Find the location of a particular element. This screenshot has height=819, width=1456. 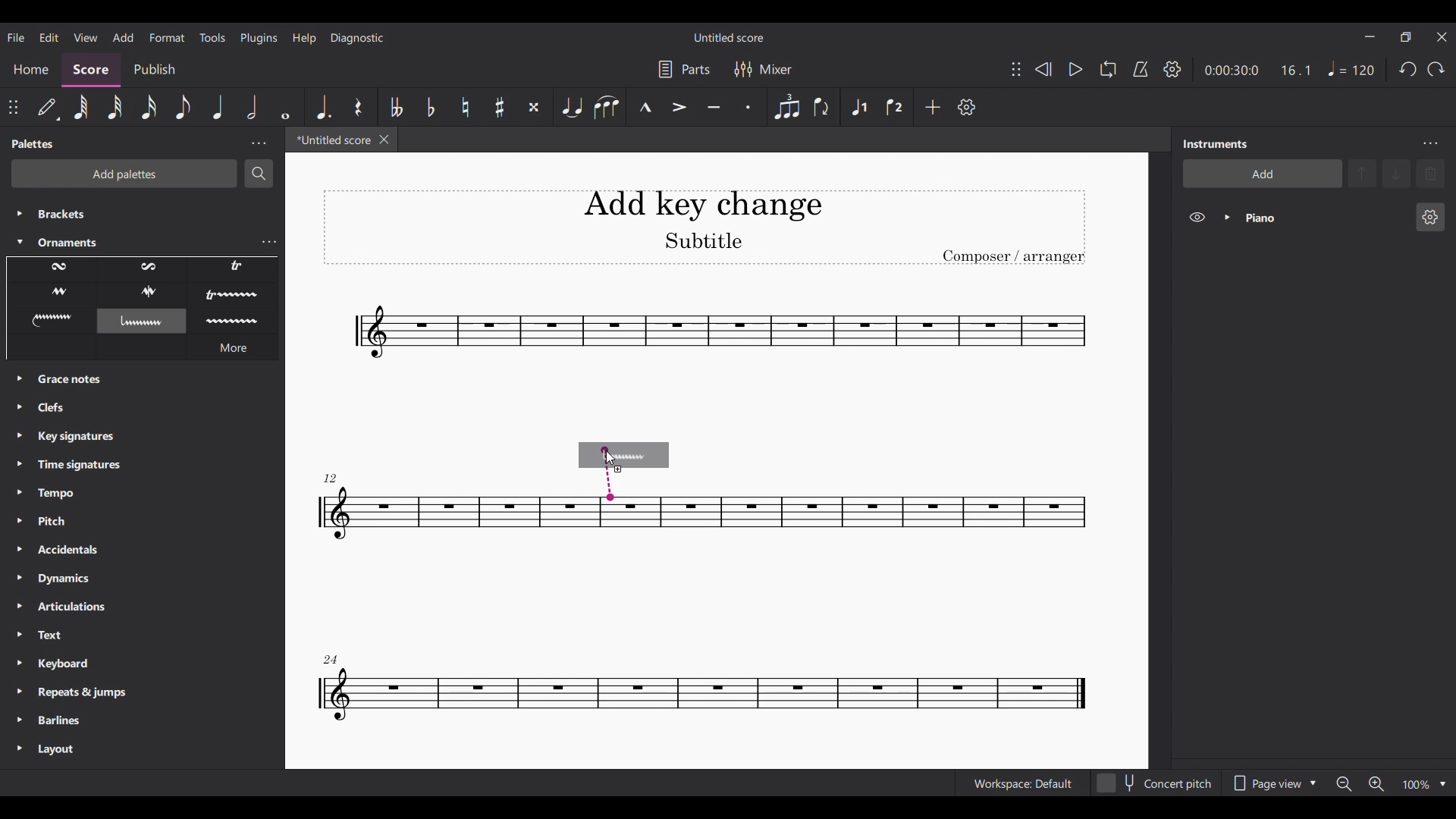

Home section is located at coordinates (31, 70).